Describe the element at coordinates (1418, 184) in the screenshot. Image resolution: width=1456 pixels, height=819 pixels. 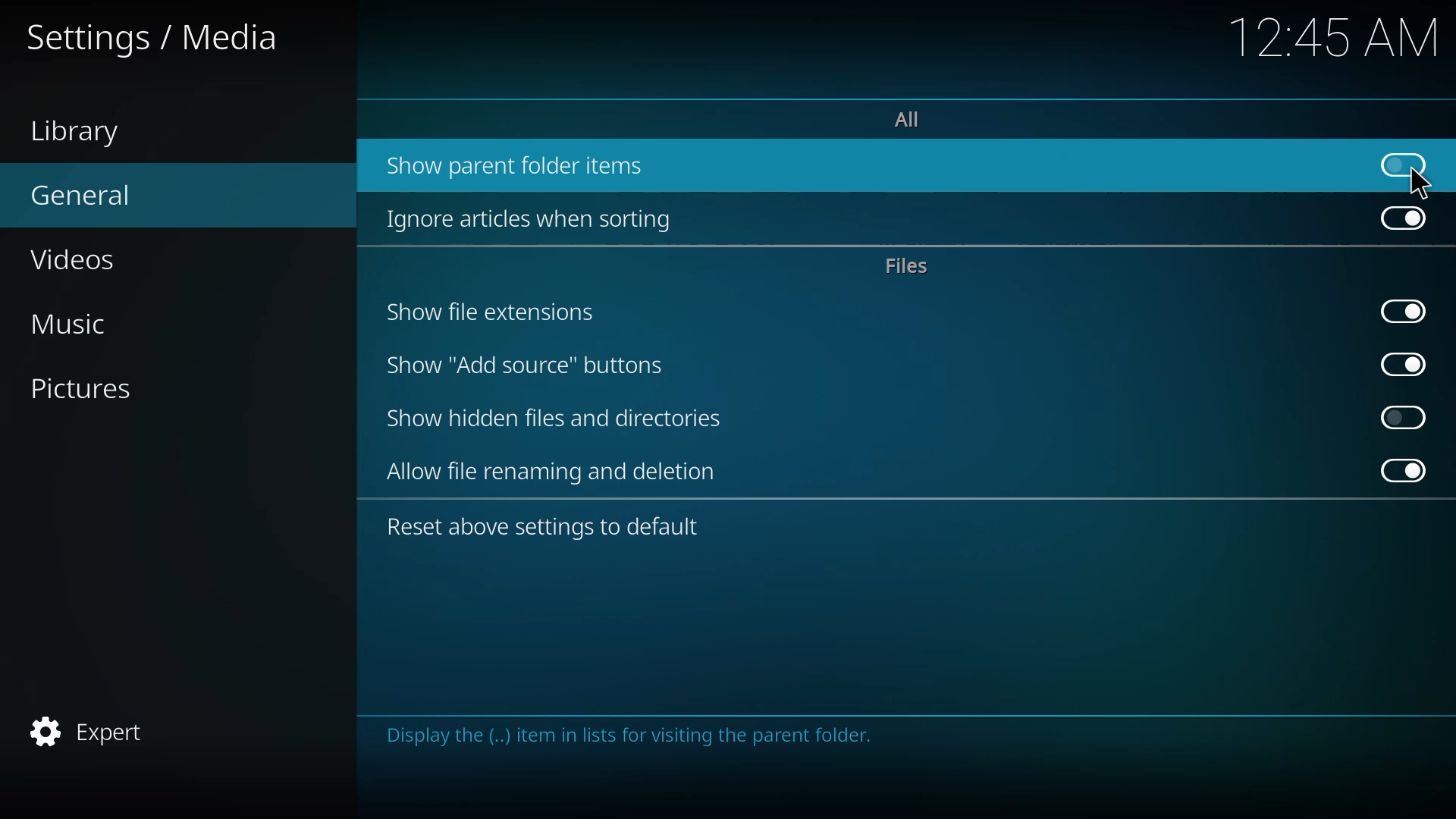
I see `cursor` at that location.